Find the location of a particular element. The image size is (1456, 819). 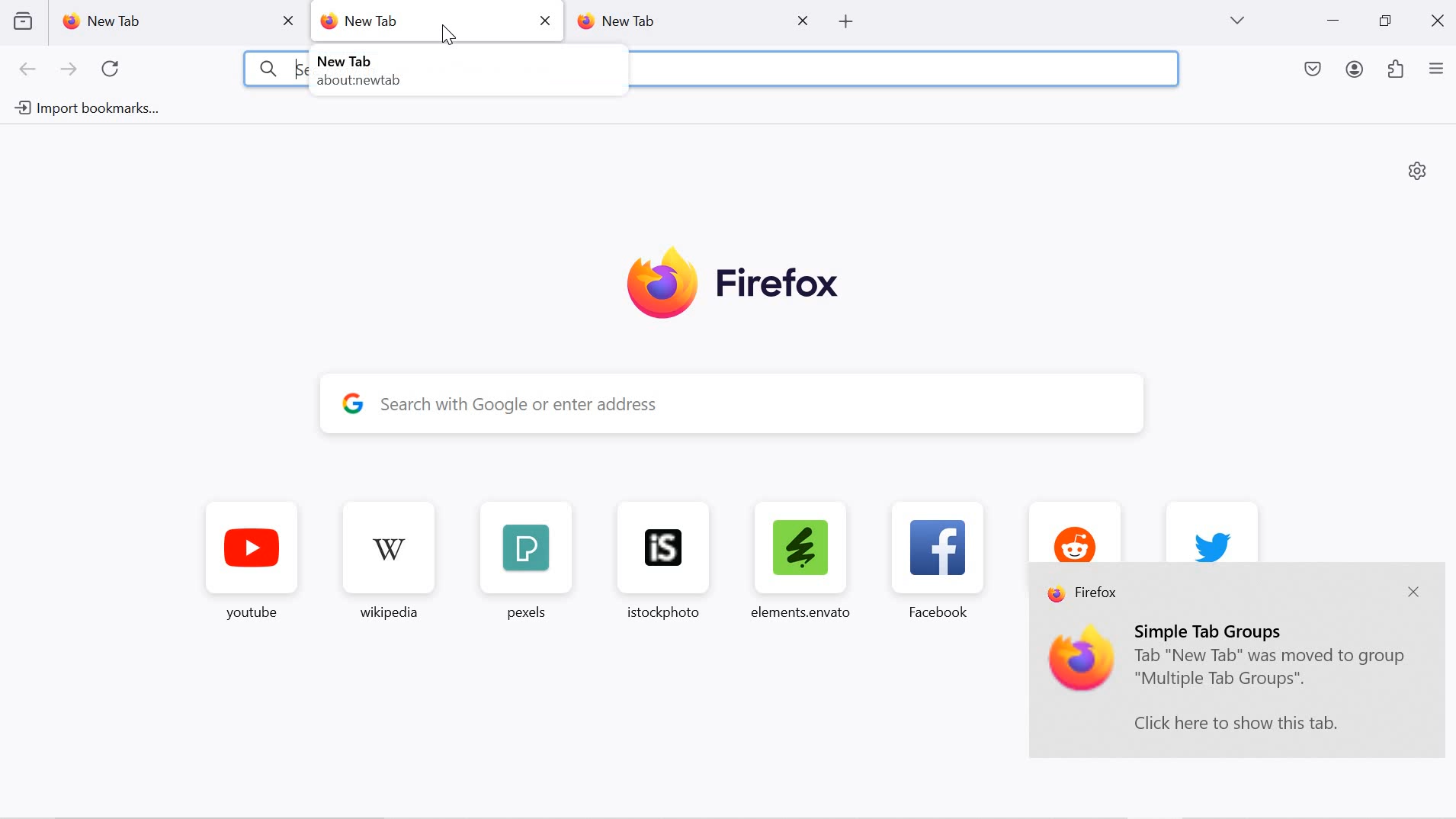

minimize is located at coordinates (1333, 22).